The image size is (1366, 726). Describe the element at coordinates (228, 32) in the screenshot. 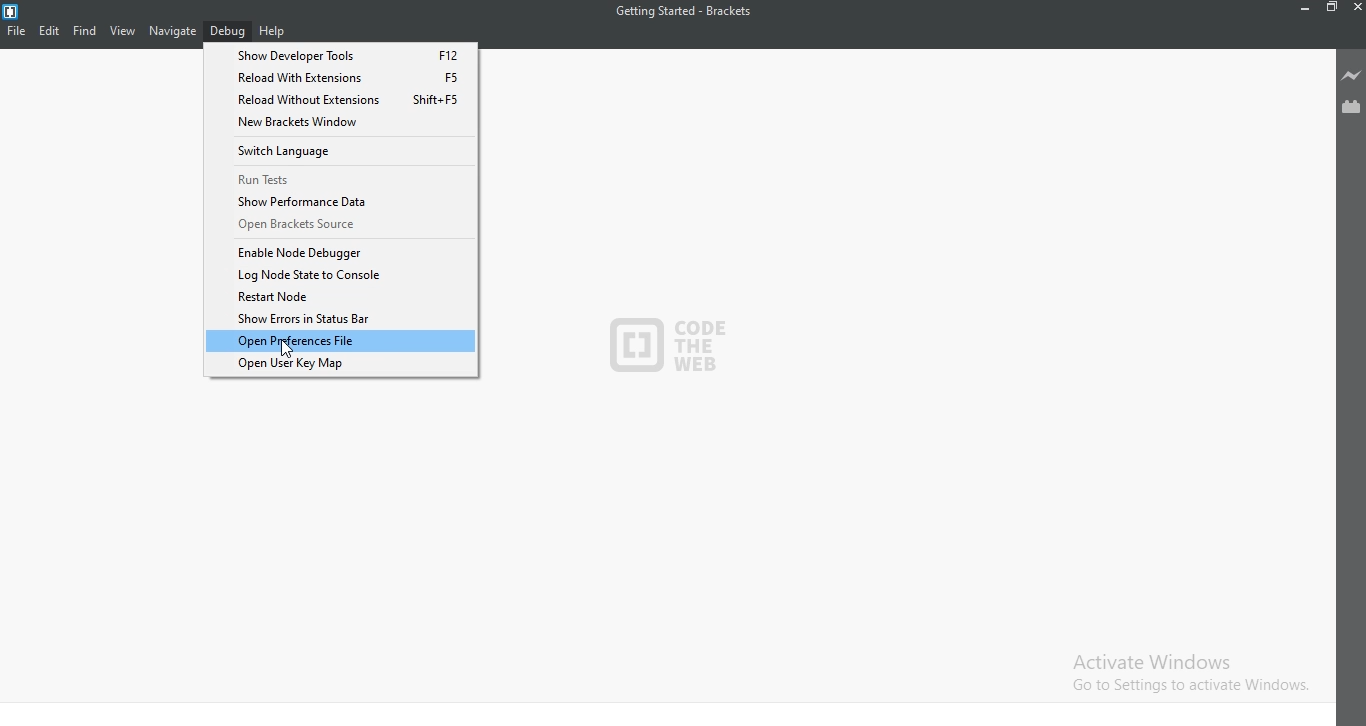

I see `Debug` at that location.